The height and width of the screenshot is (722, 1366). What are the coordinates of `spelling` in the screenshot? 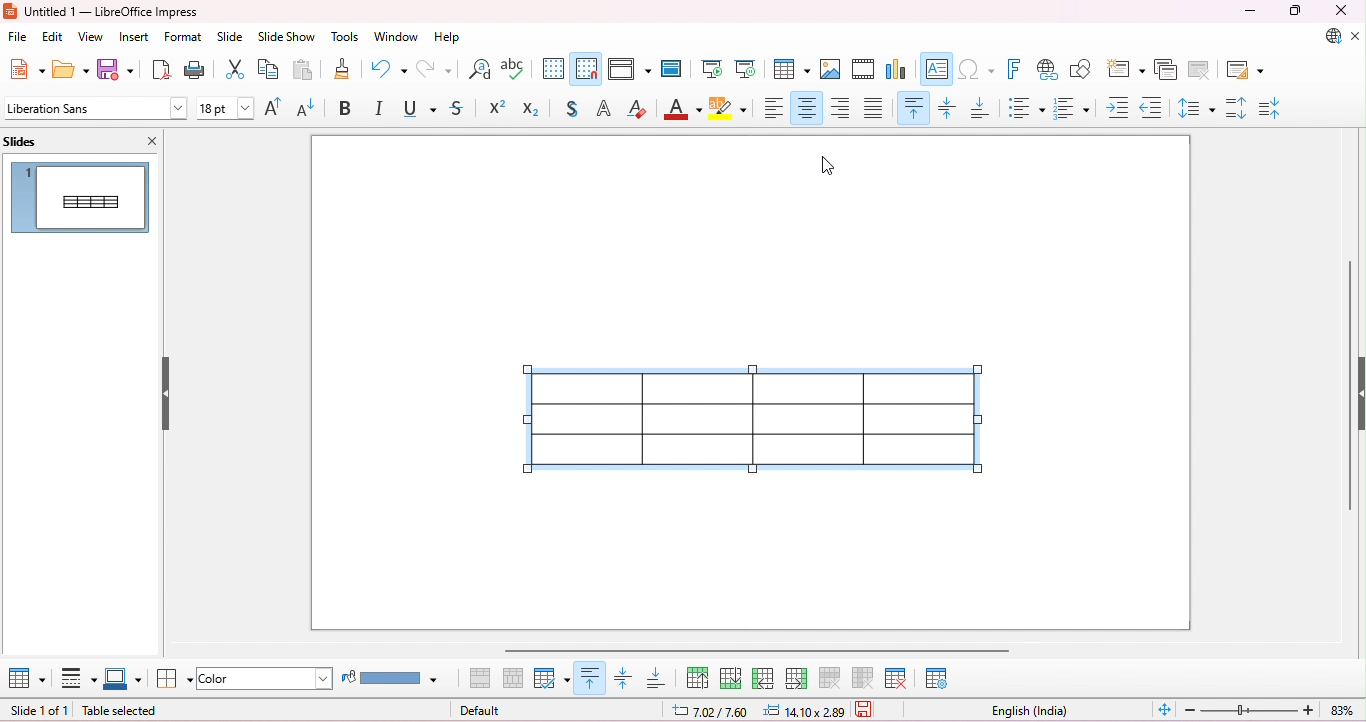 It's located at (514, 69).